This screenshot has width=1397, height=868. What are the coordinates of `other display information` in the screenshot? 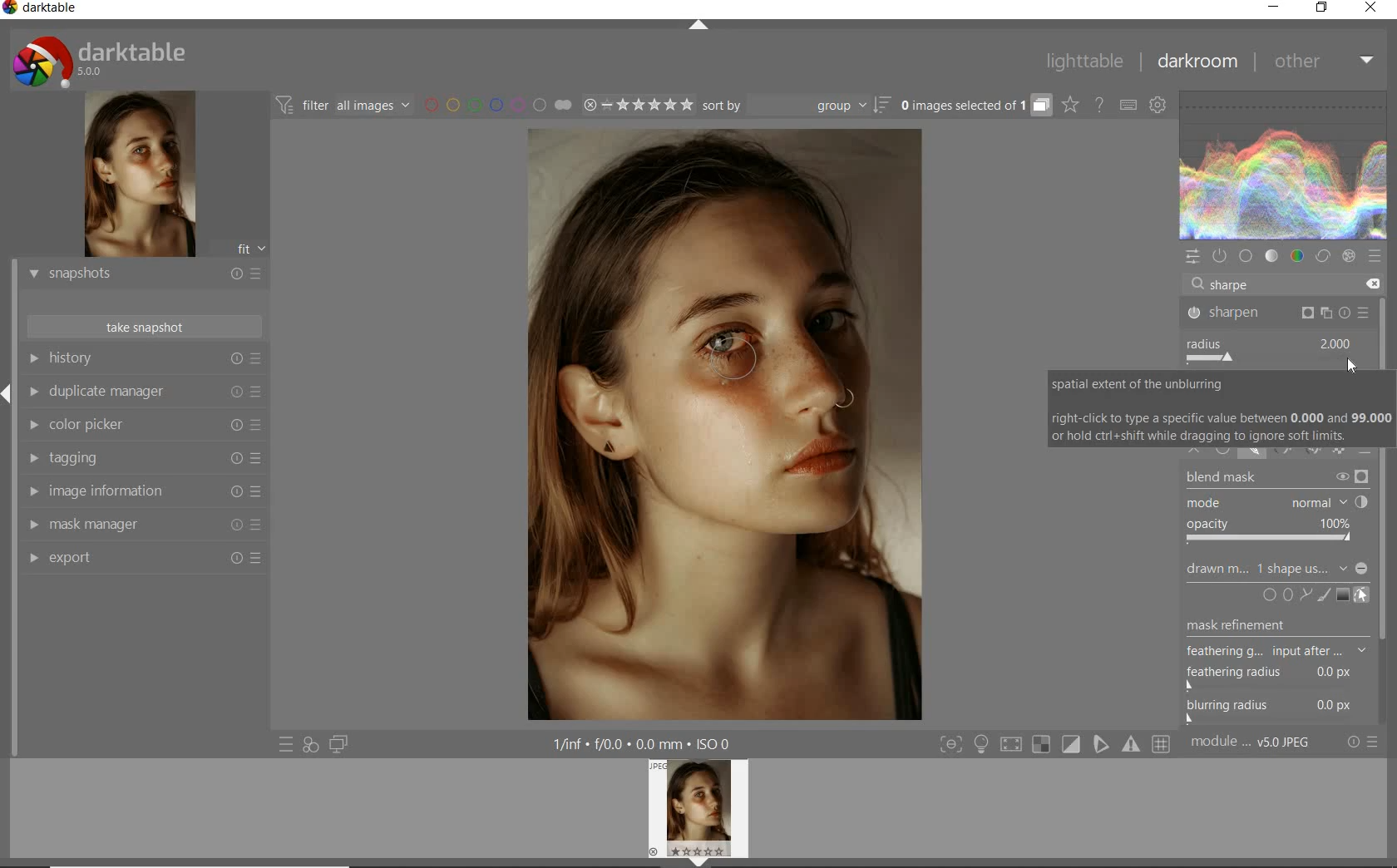 It's located at (645, 744).